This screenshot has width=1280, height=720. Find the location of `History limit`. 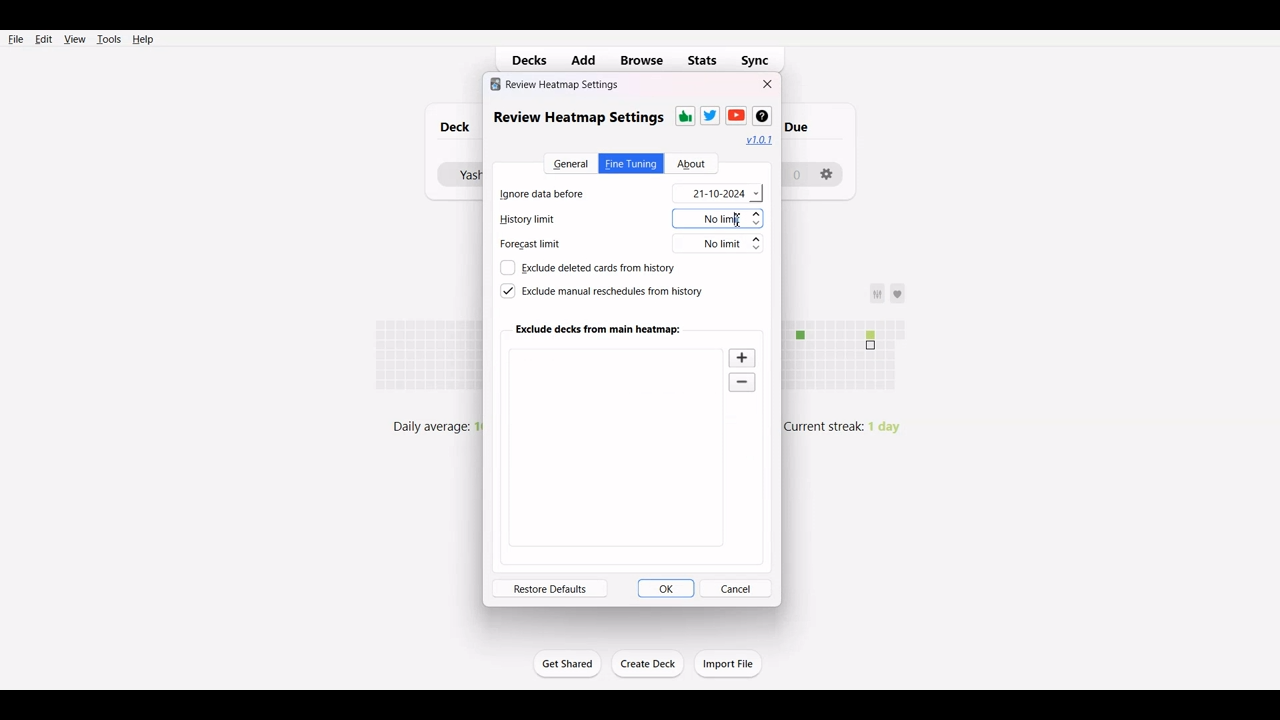

History limit is located at coordinates (547, 221).